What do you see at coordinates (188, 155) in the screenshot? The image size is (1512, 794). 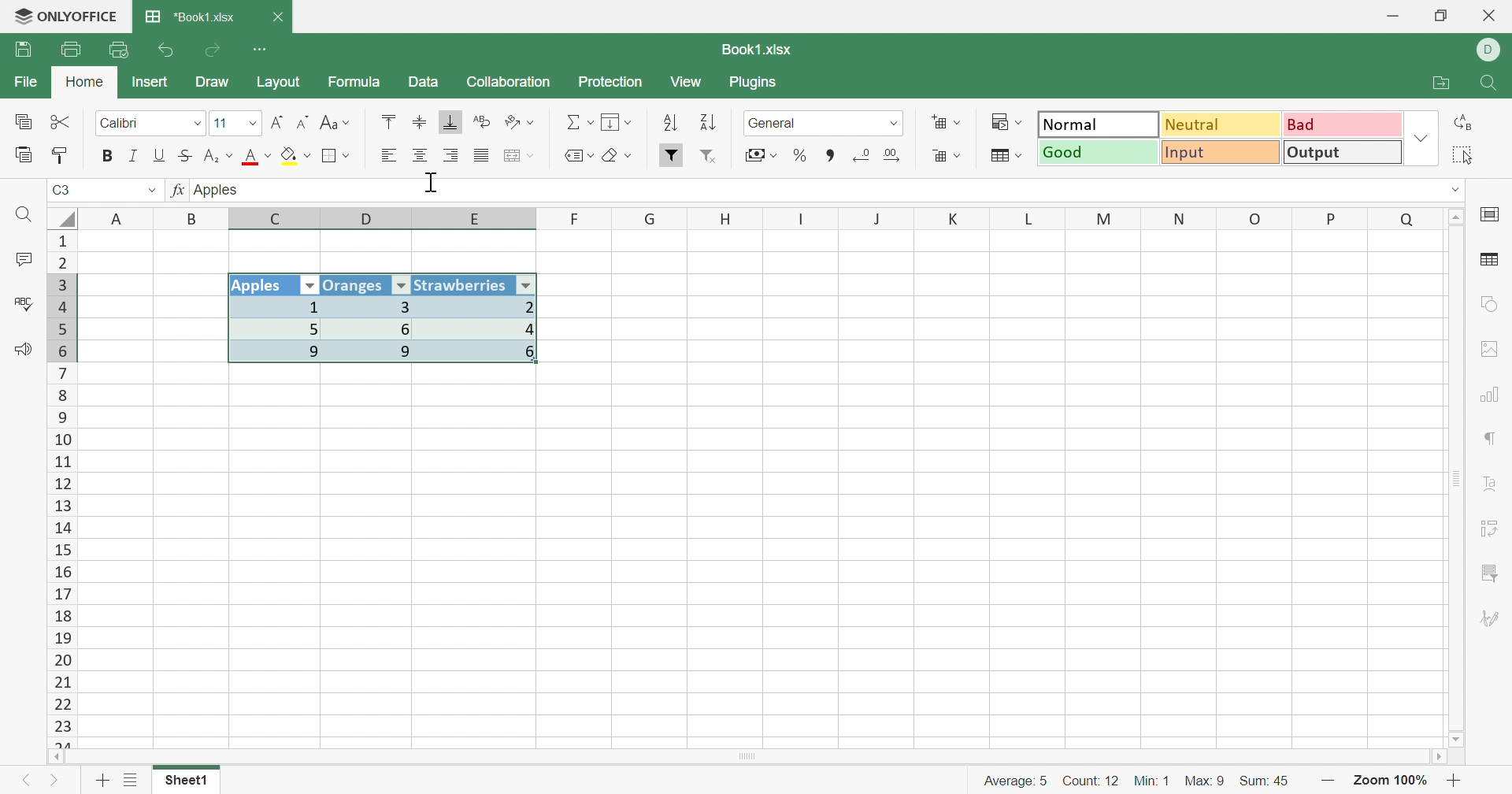 I see `Strikethrough` at bounding box center [188, 155].